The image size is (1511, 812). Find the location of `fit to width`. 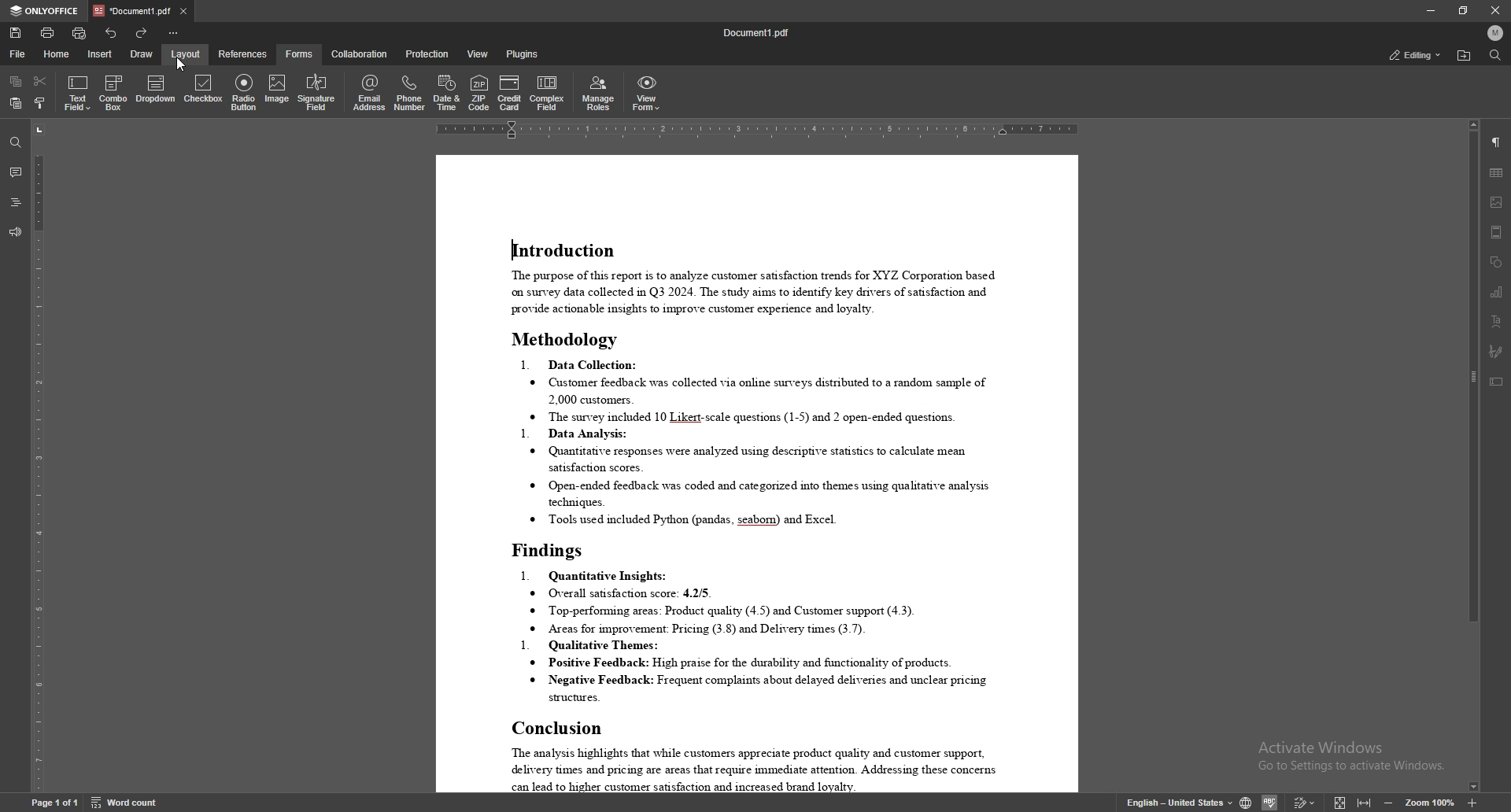

fit to width is located at coordinates (1366, 802).